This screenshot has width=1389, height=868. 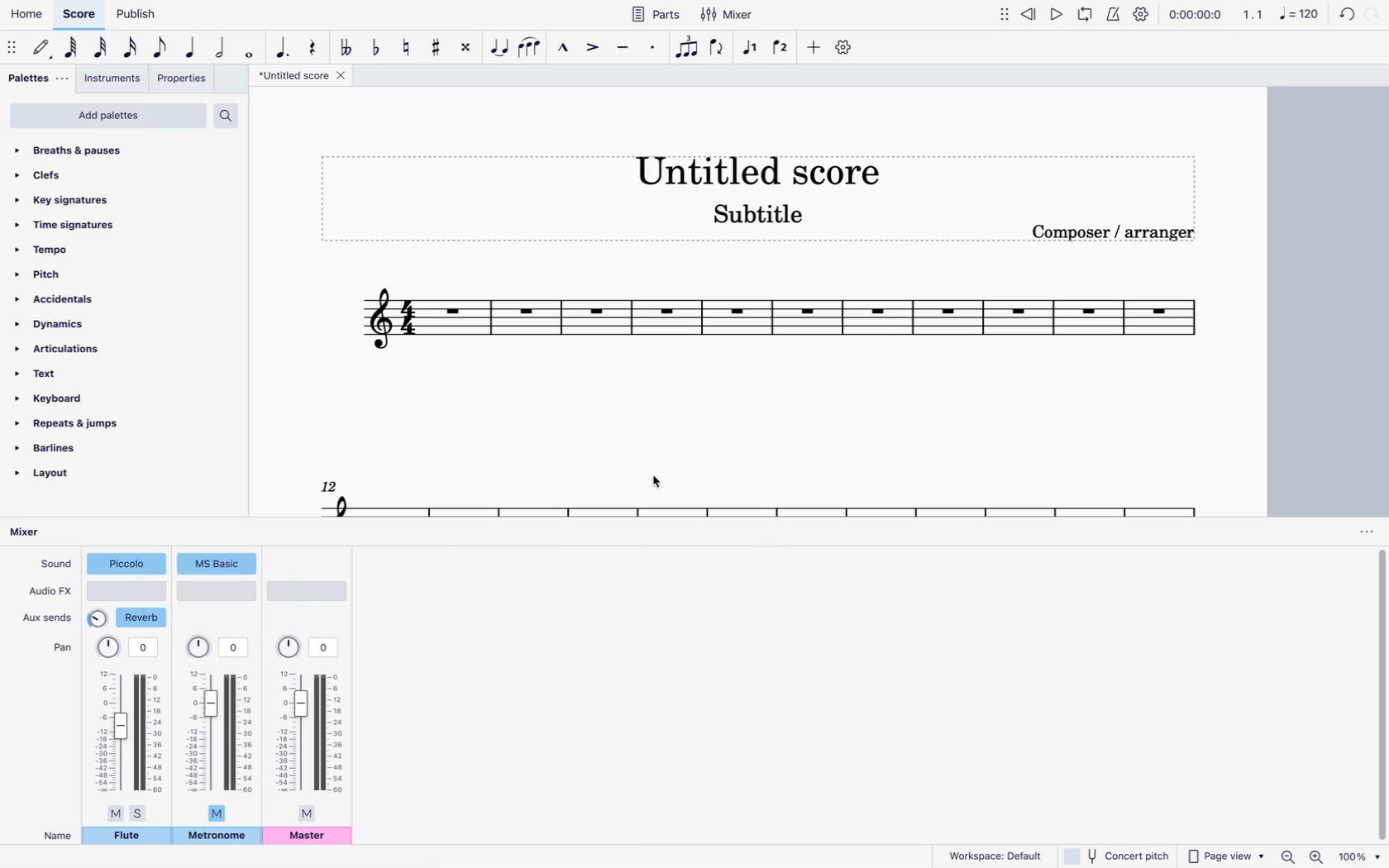 I want to click on options, so click(x=1365, y=532).